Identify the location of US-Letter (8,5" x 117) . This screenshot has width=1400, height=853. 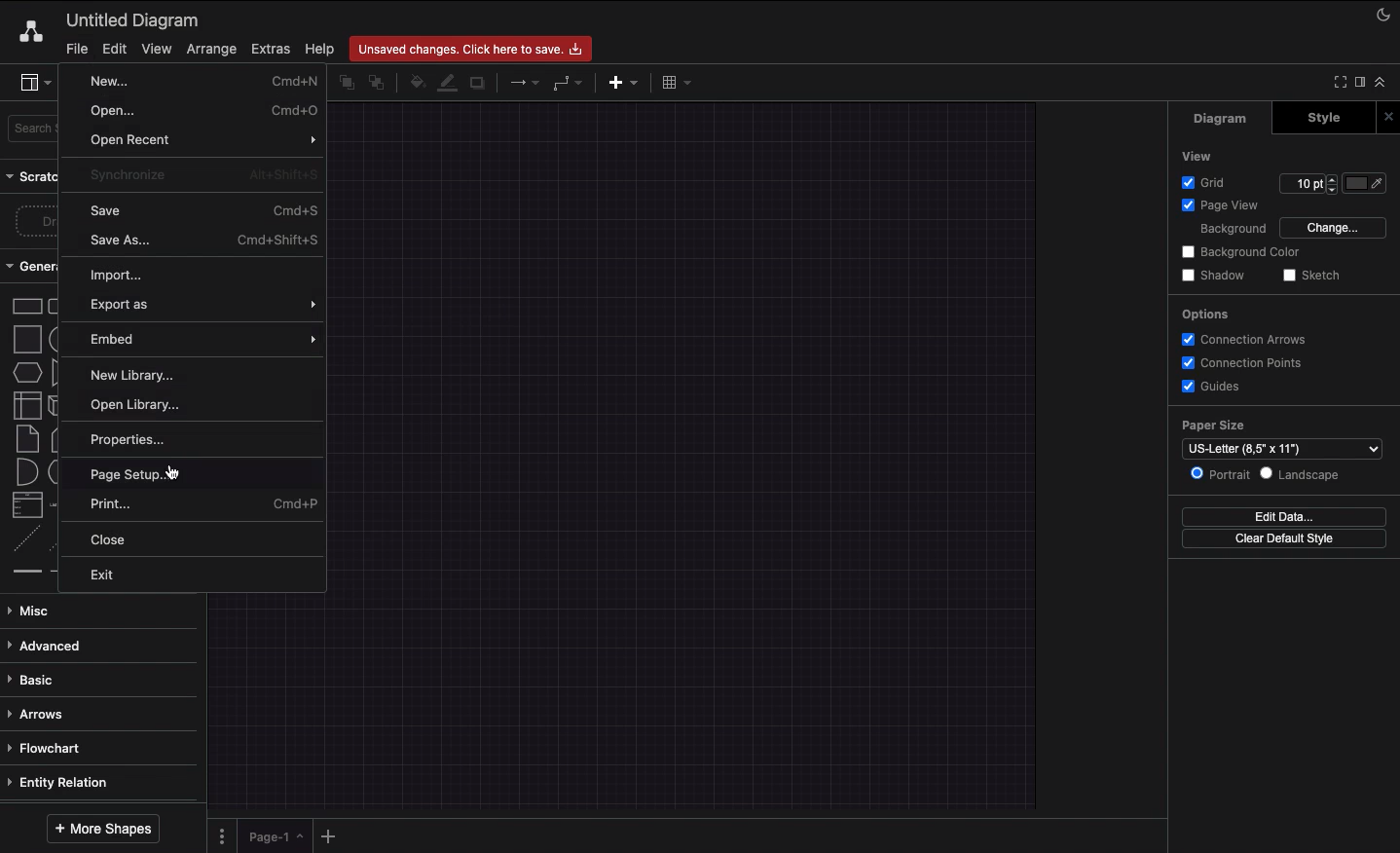
(1277, 449).